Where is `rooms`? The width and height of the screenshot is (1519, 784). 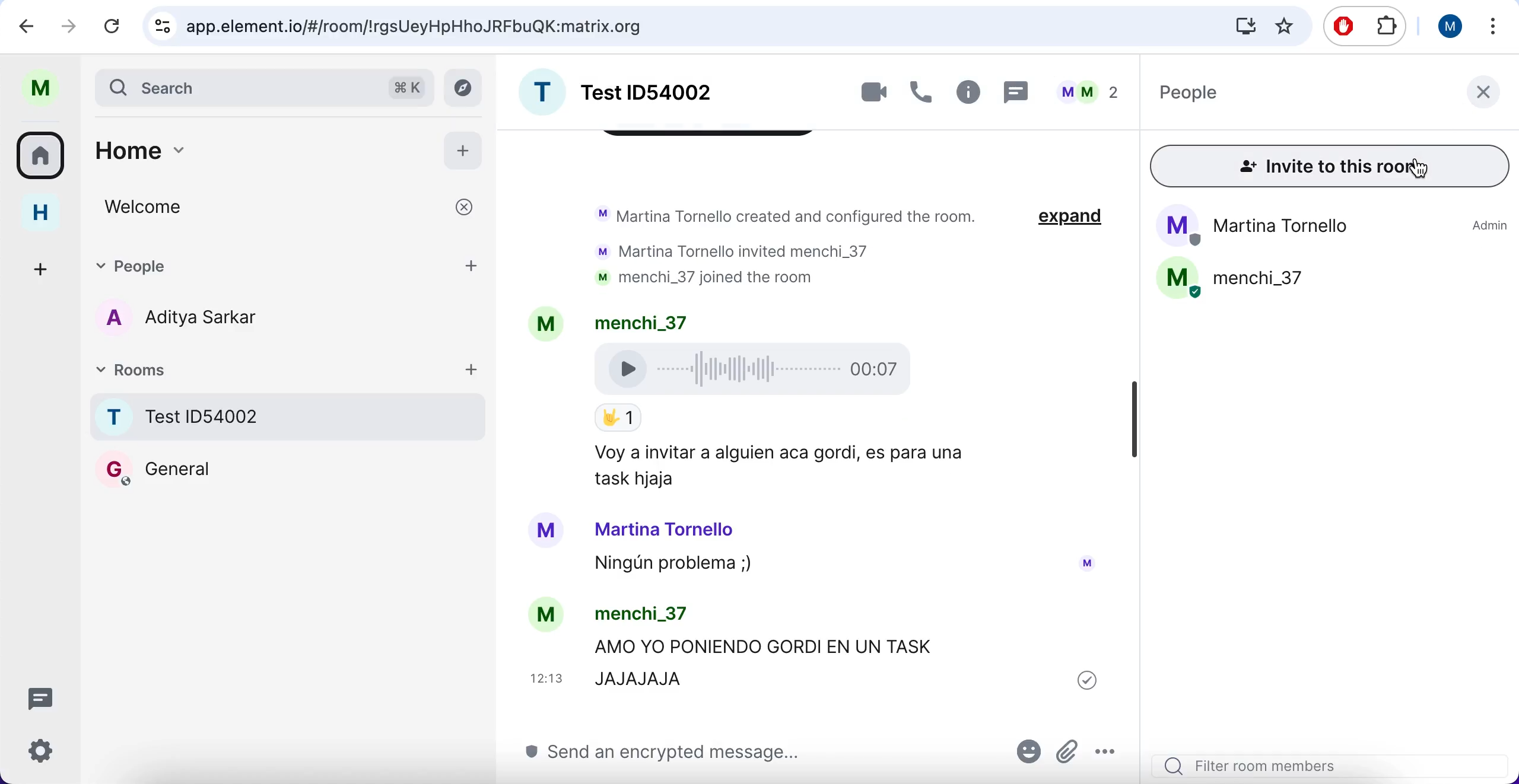 rooms is located at coordinates (267, 368).